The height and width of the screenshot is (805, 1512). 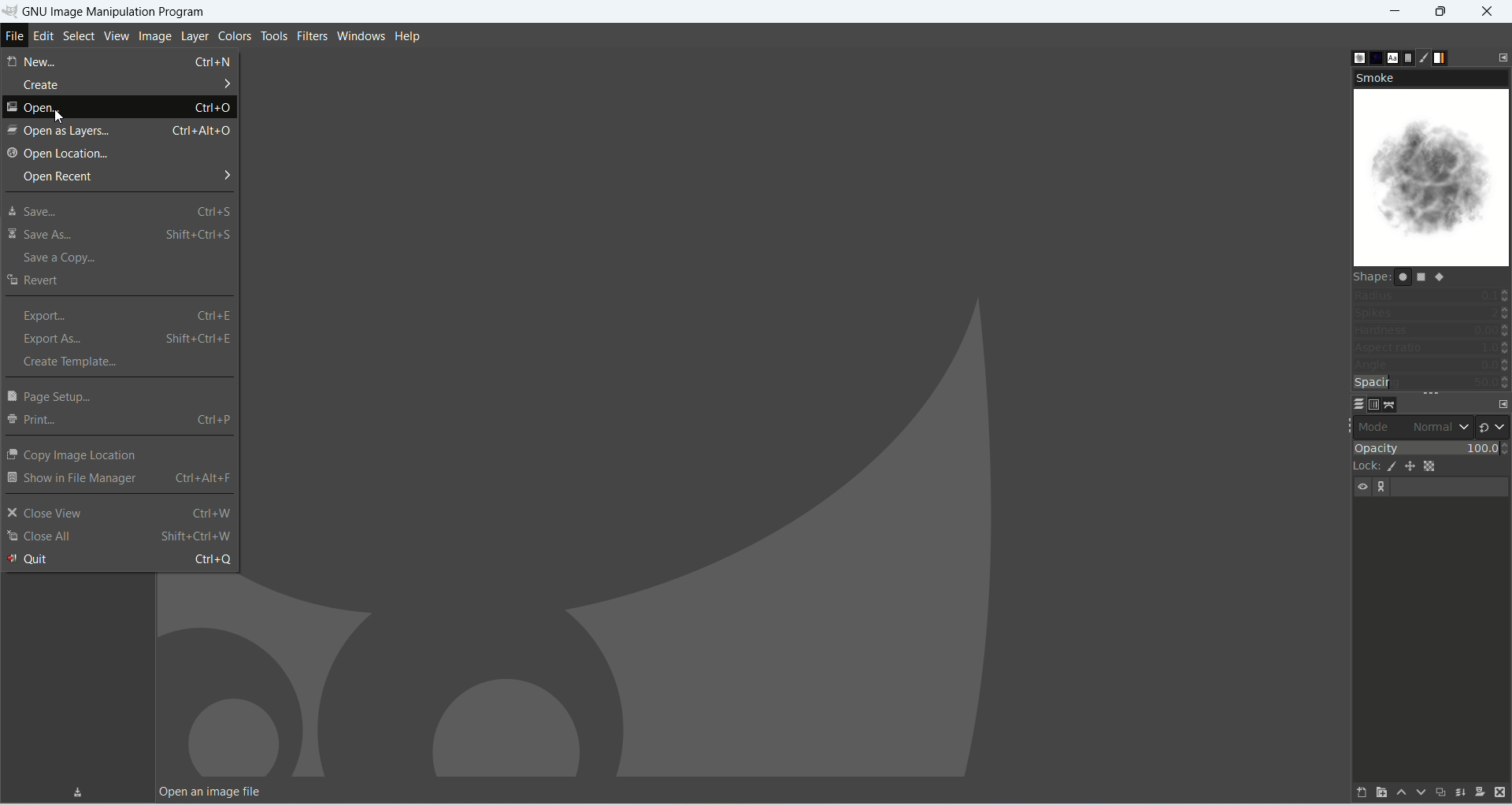 What do you see at coordinates (1460, 794) in the screenshot?
I see `merge this layer` at bounding box center [1460, 794].